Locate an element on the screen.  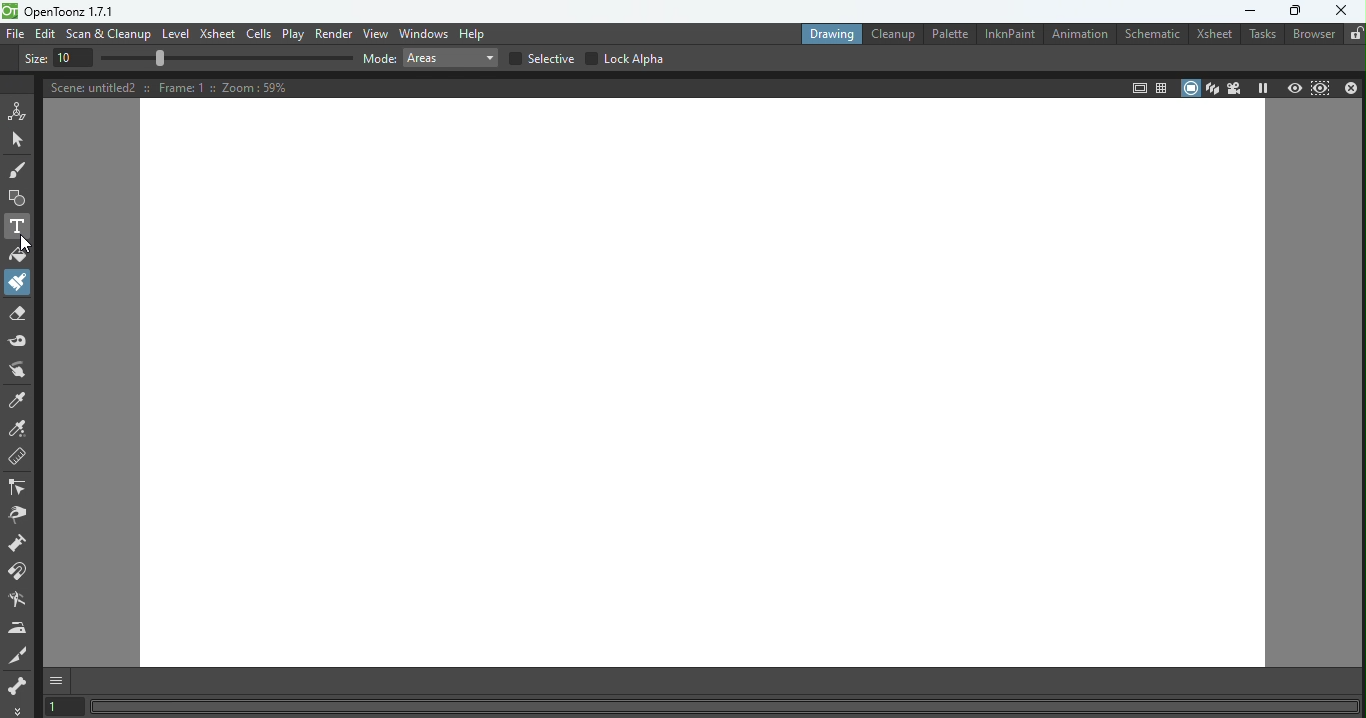
Schematic is located at coordinates (1153, 34).